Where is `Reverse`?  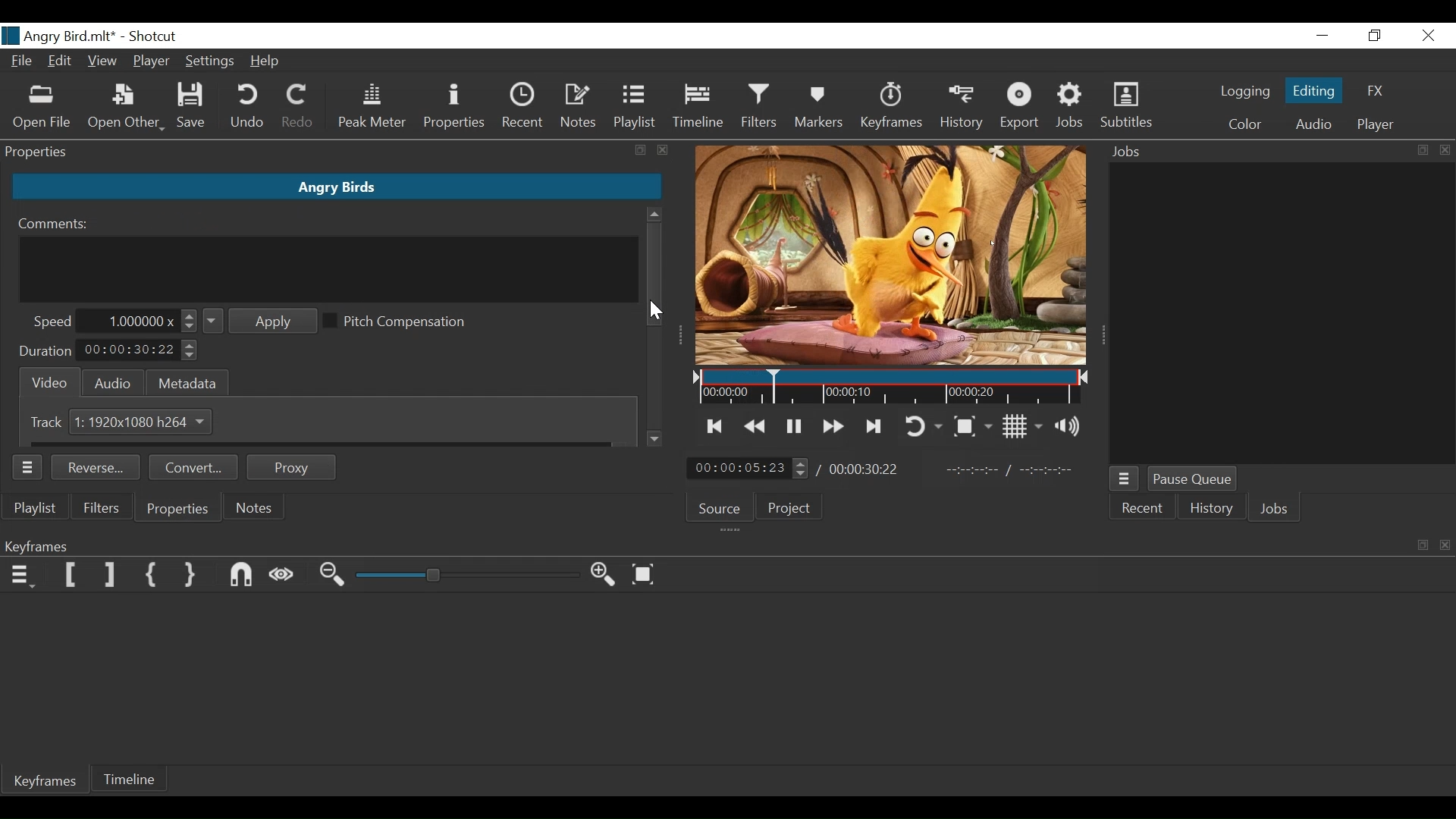 Reverse is located at coordinates (96, 466).